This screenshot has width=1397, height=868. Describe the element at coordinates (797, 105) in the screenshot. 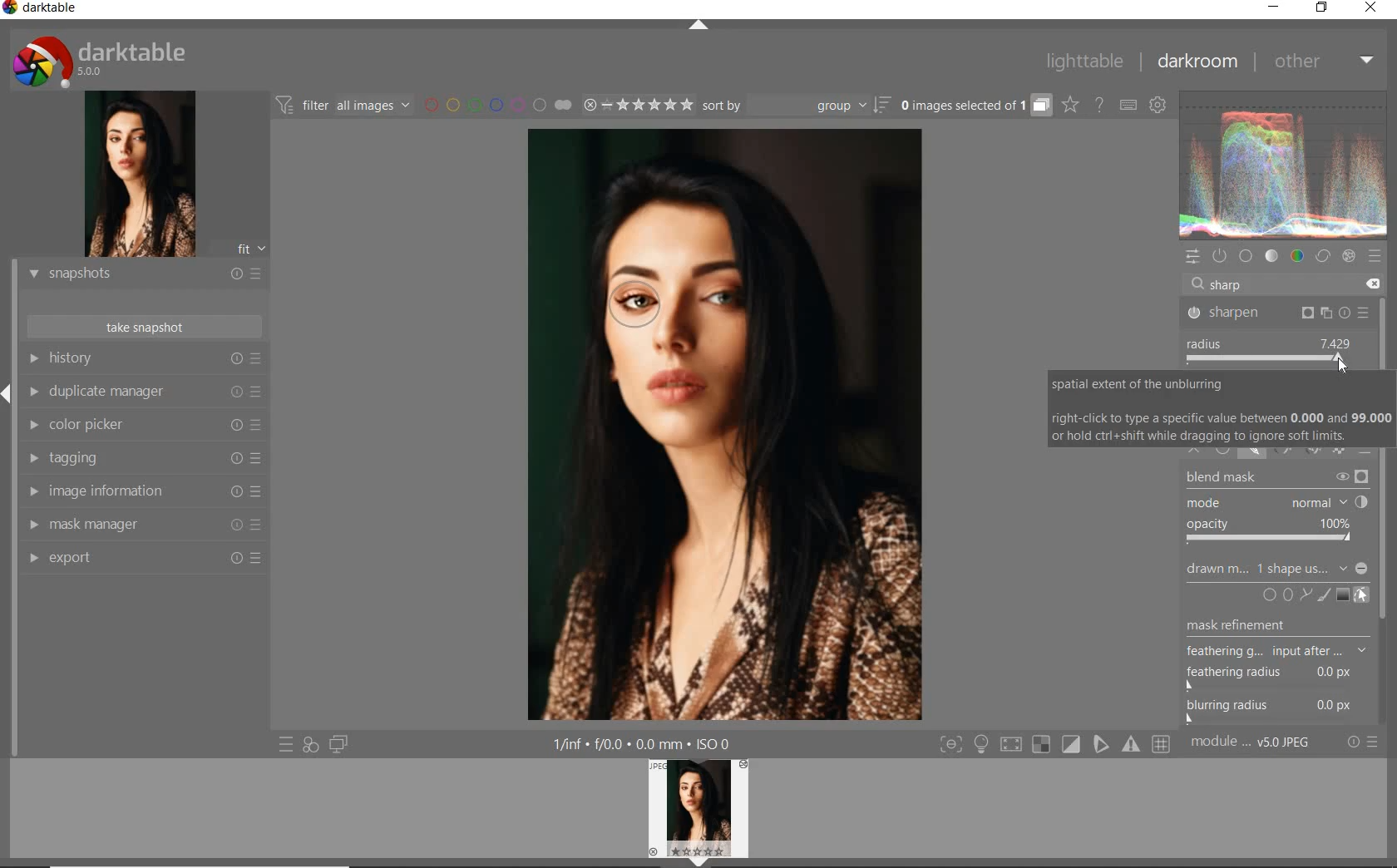

I see `sort` at that location.